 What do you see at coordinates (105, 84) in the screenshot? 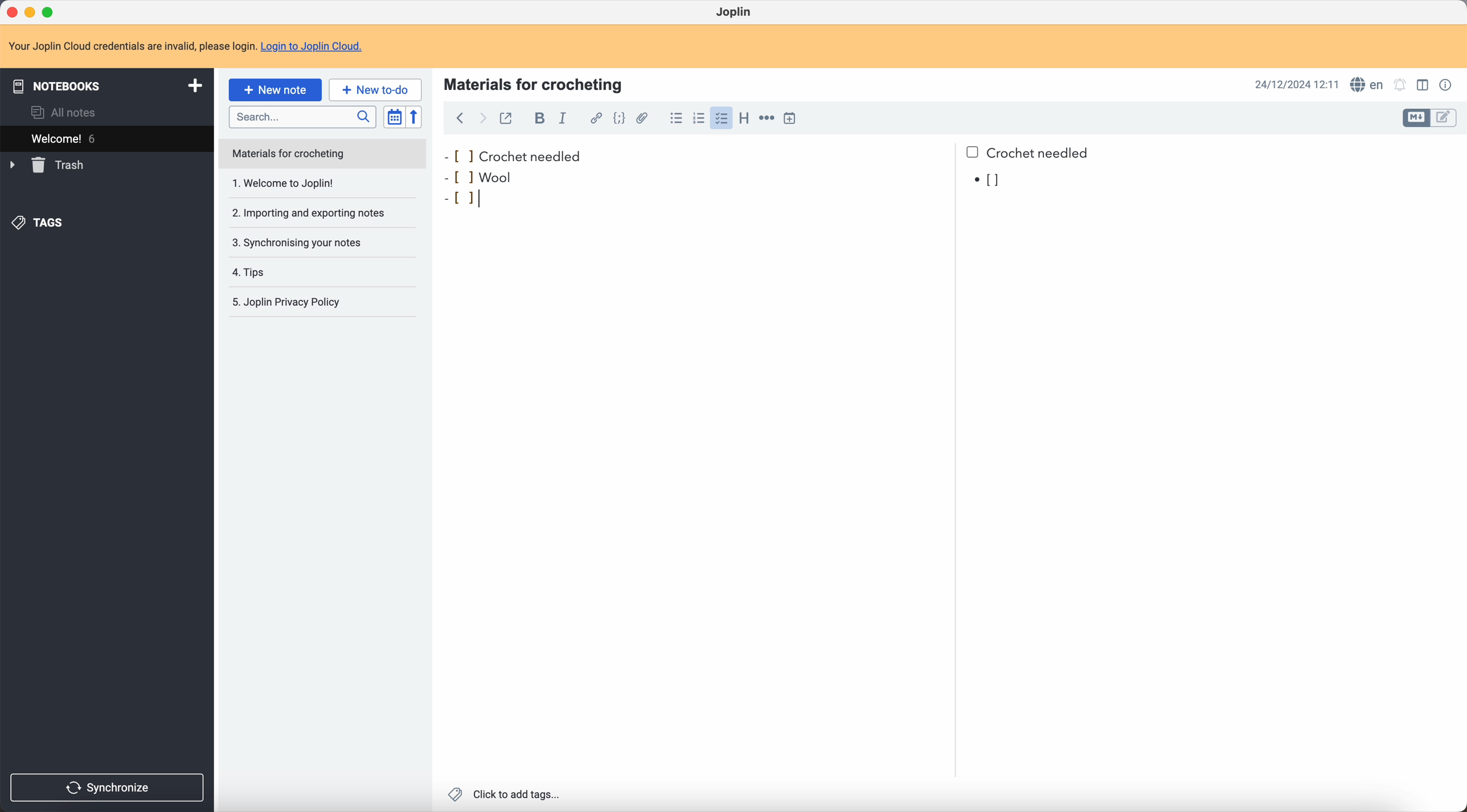
I see `notebooks` at bounding box center [105, 84].